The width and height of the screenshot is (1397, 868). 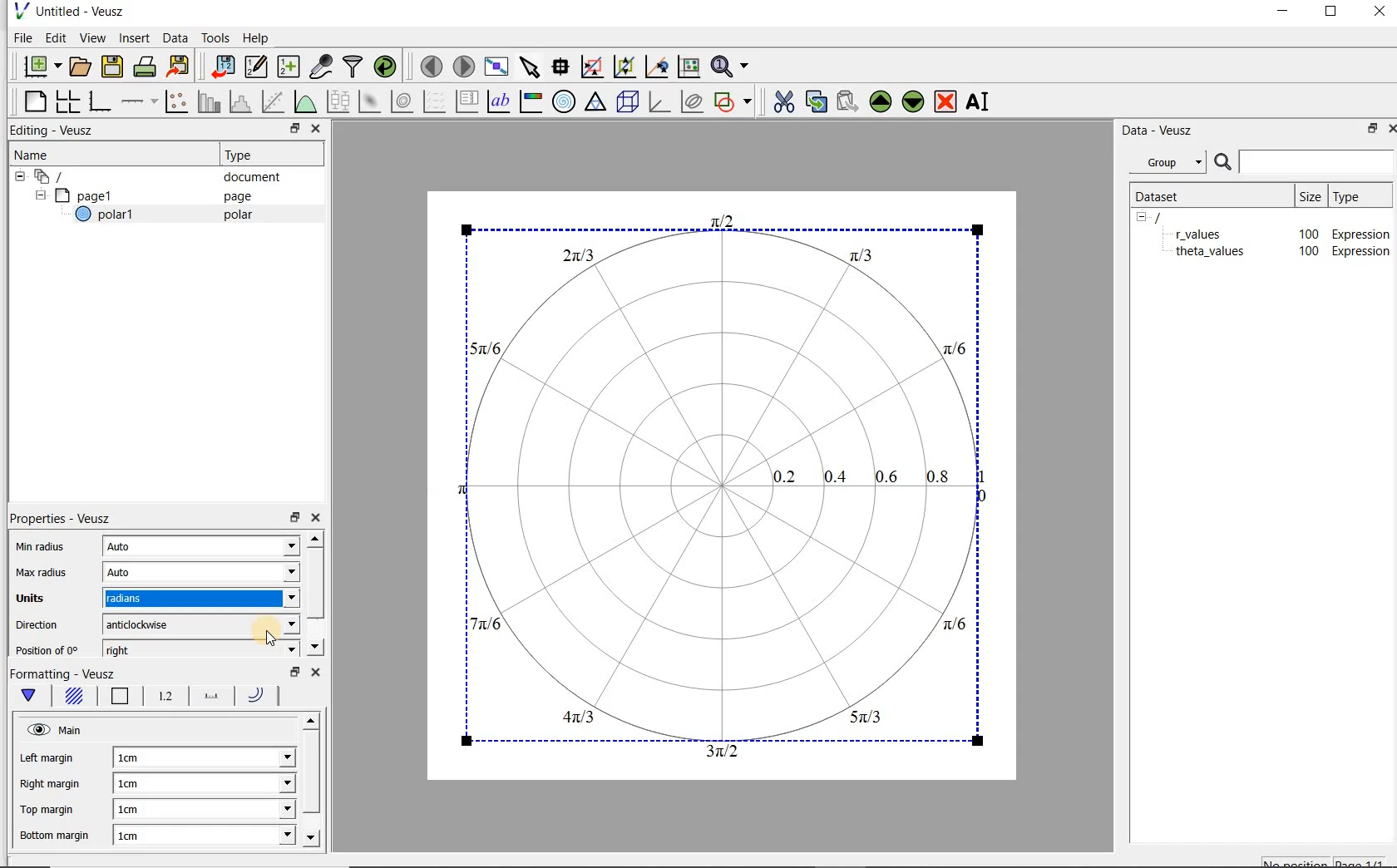 What do you see at coordinates (501, 101) in the screenshot?
I see `text label` at bounding box center [501, 101].